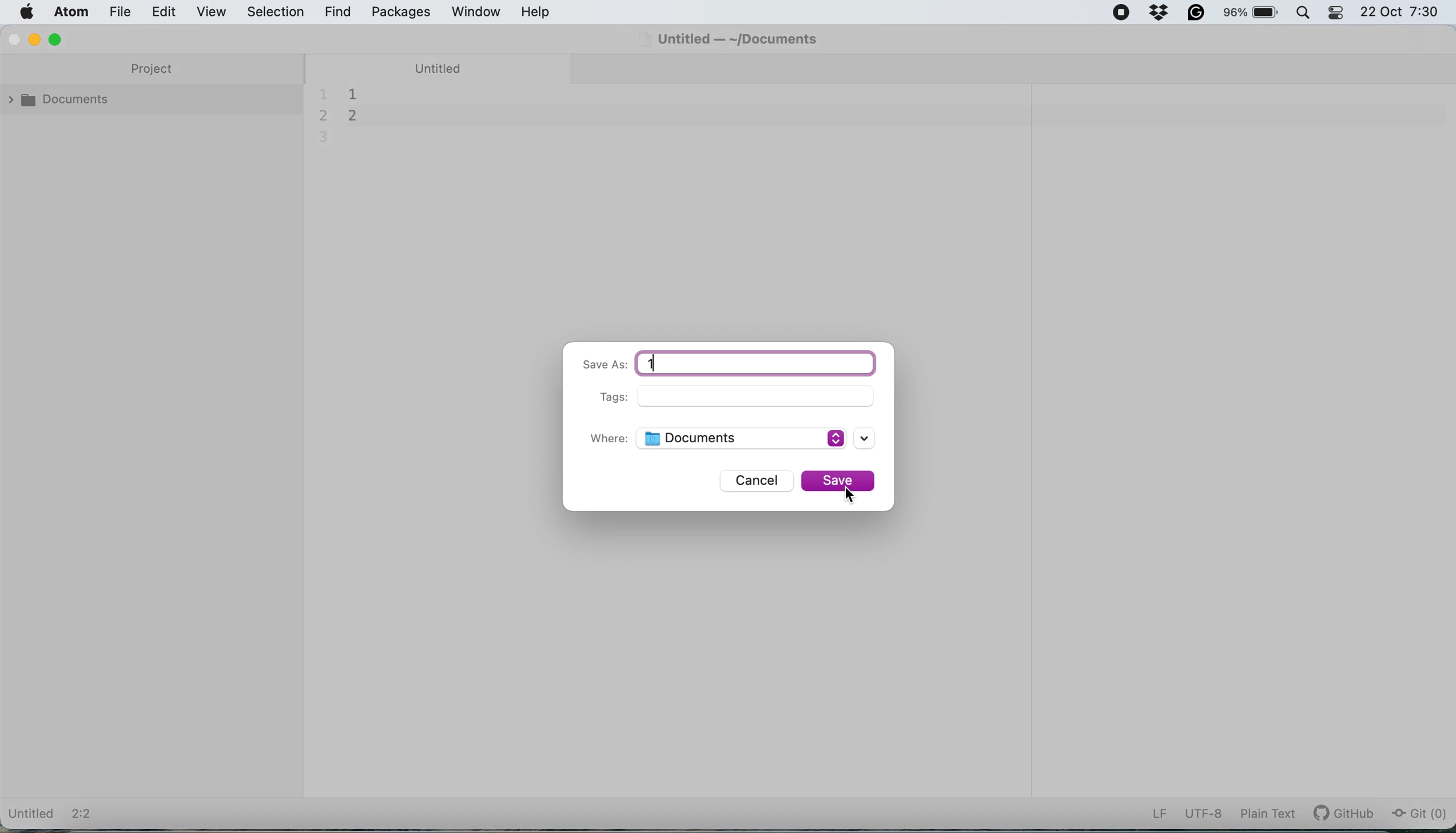  Describe the element at coordinates (443, 68) in the screenshot. I see `untitled` at that location.